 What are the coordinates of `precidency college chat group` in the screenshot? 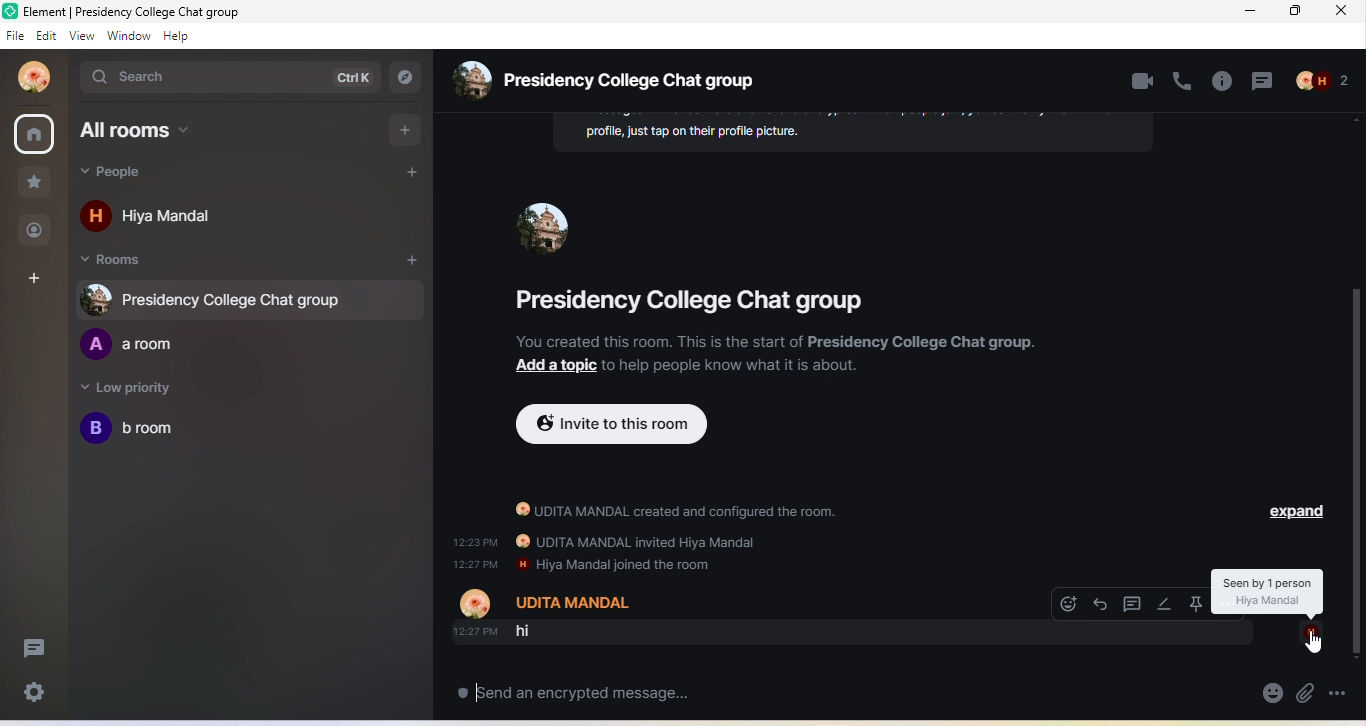 It's located at (621, 78).